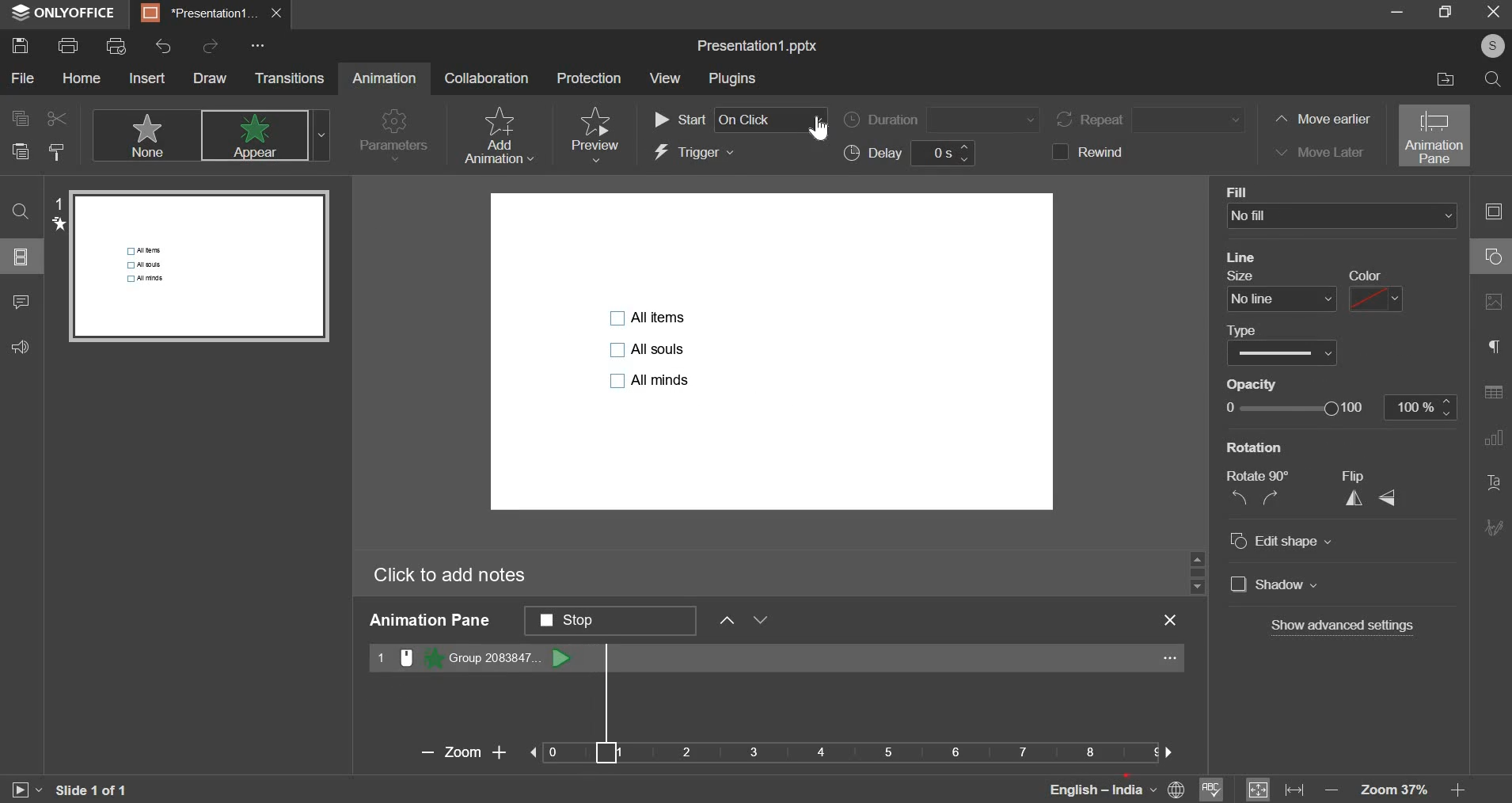  What do you see at coordinates (213, 14) in the screenshot?
I see `presentation1` at bounding box center [213, 14].